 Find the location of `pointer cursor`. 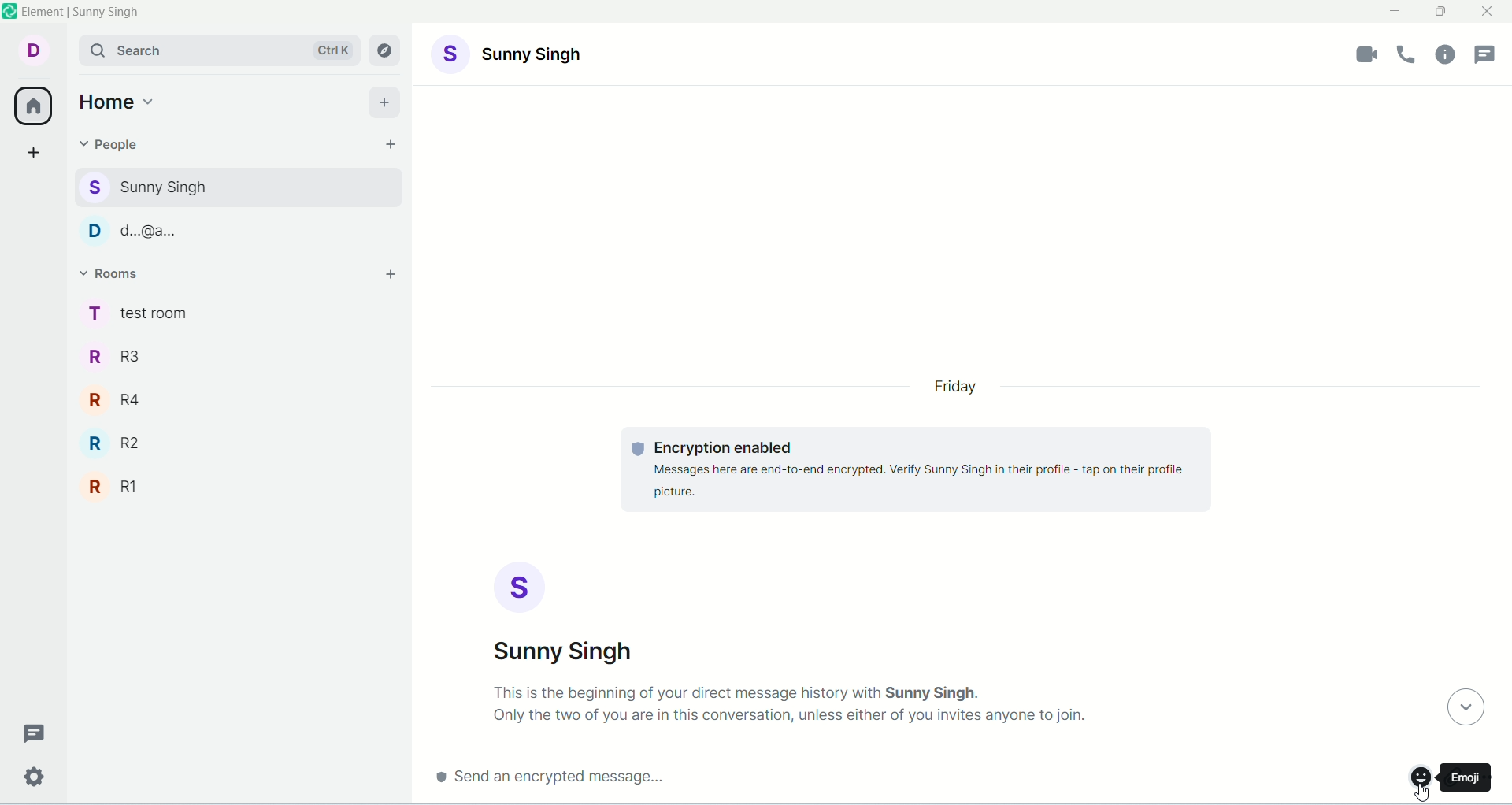

pointer cursor is located at coordinates (1424, 789).